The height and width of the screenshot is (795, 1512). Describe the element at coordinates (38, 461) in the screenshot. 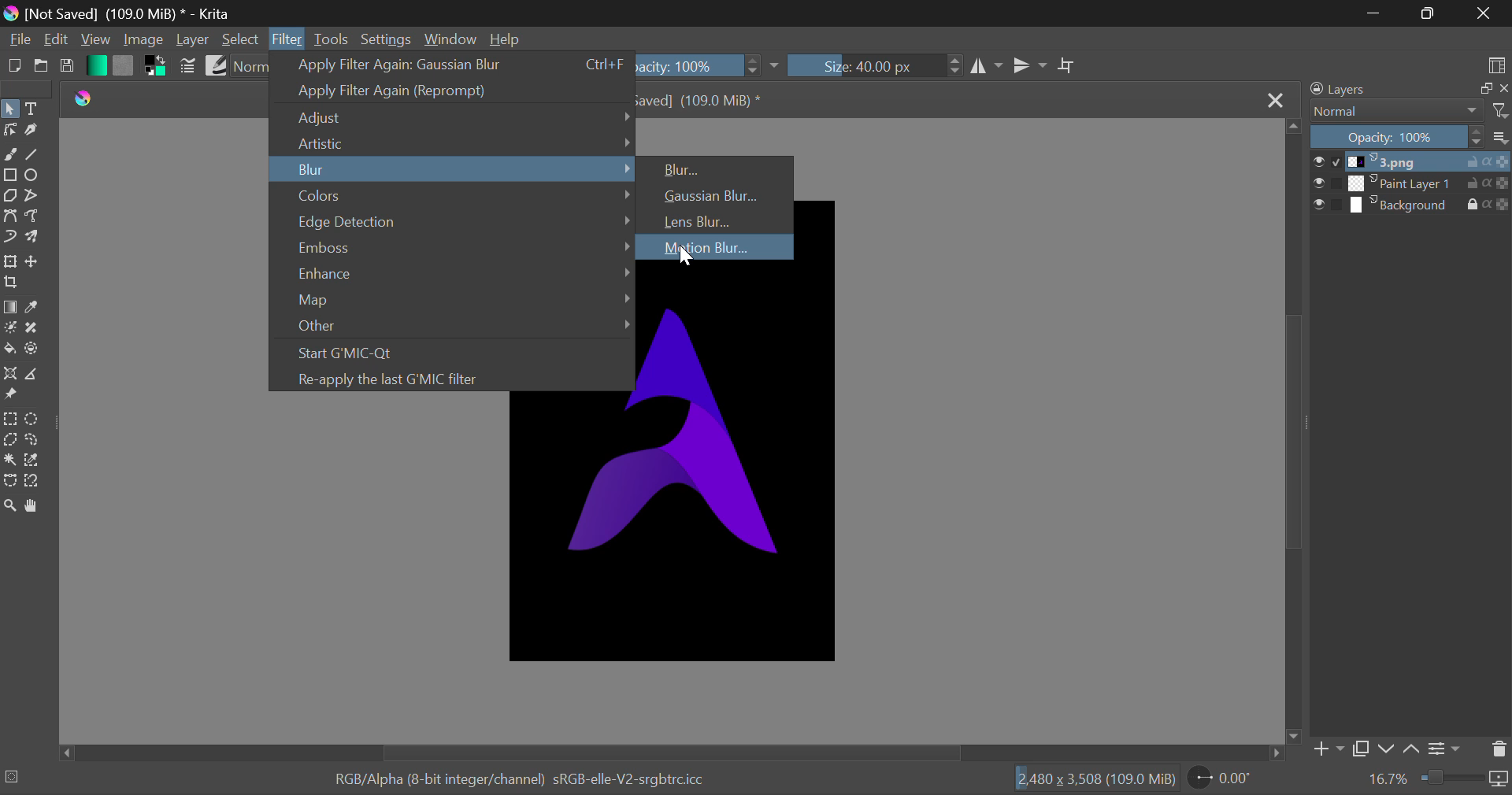

I see `Similar Color Selection Tool` at that location.